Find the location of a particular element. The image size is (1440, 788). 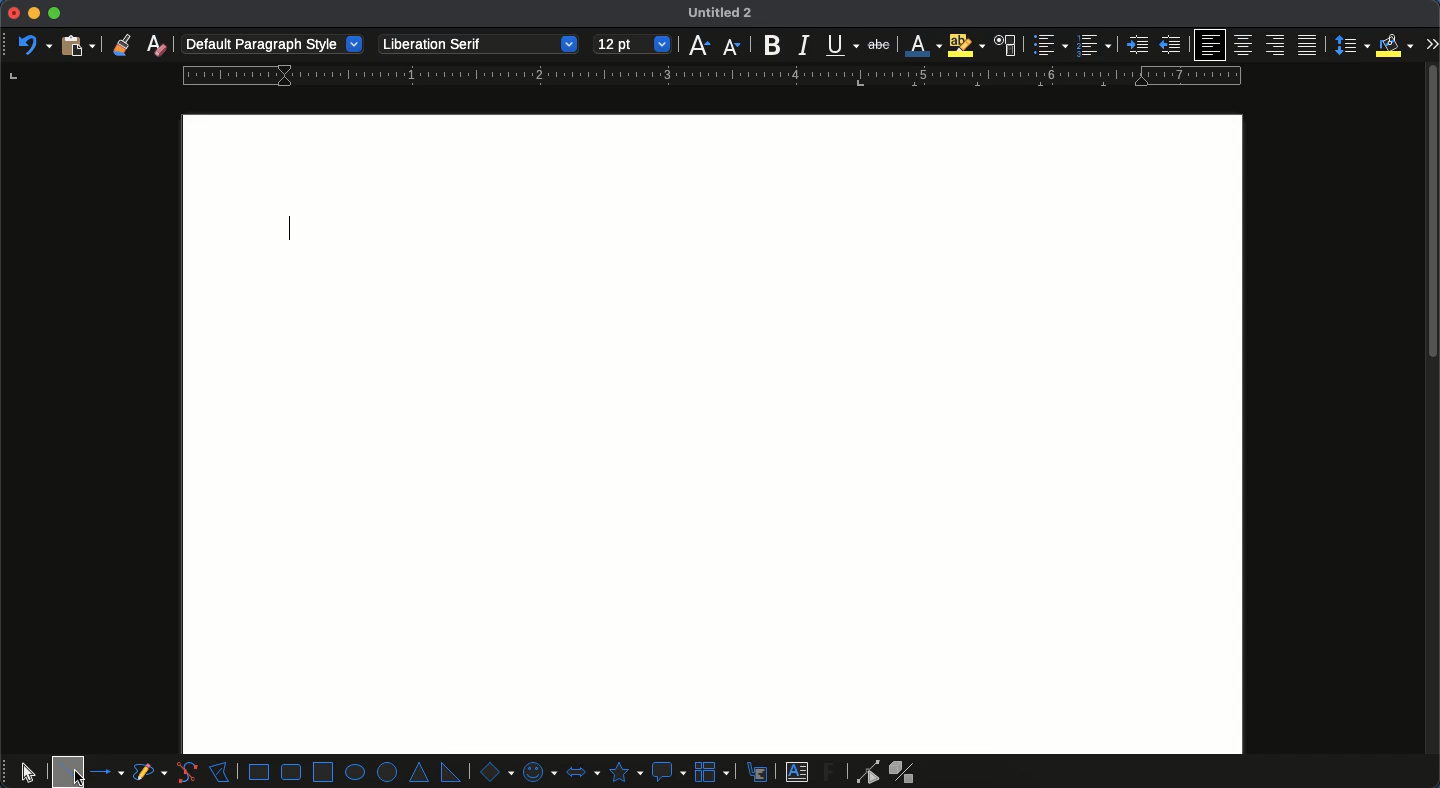

list is located at coordinates (1048, 45).